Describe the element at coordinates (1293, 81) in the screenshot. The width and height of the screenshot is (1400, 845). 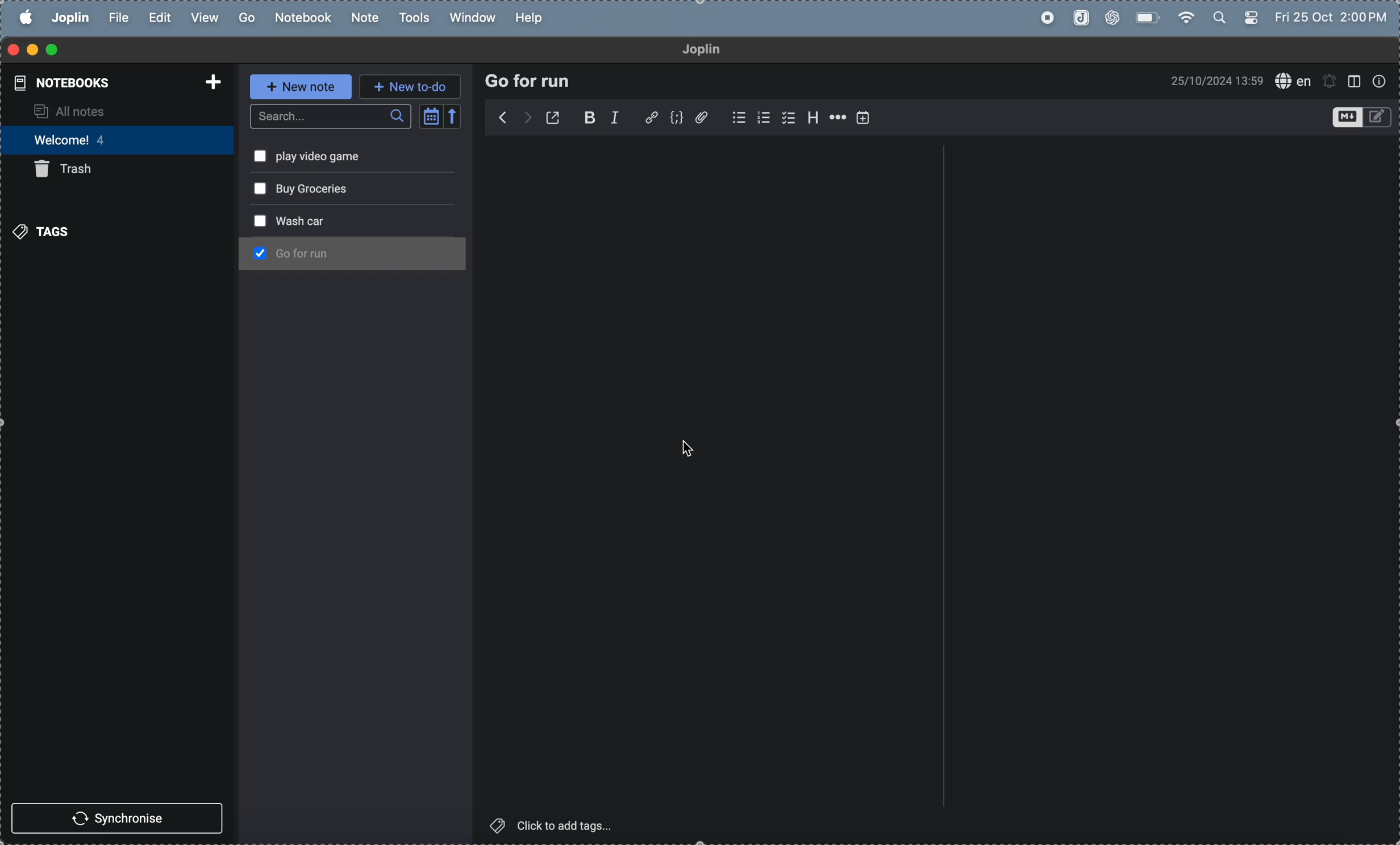
I see `spell check` at that location.